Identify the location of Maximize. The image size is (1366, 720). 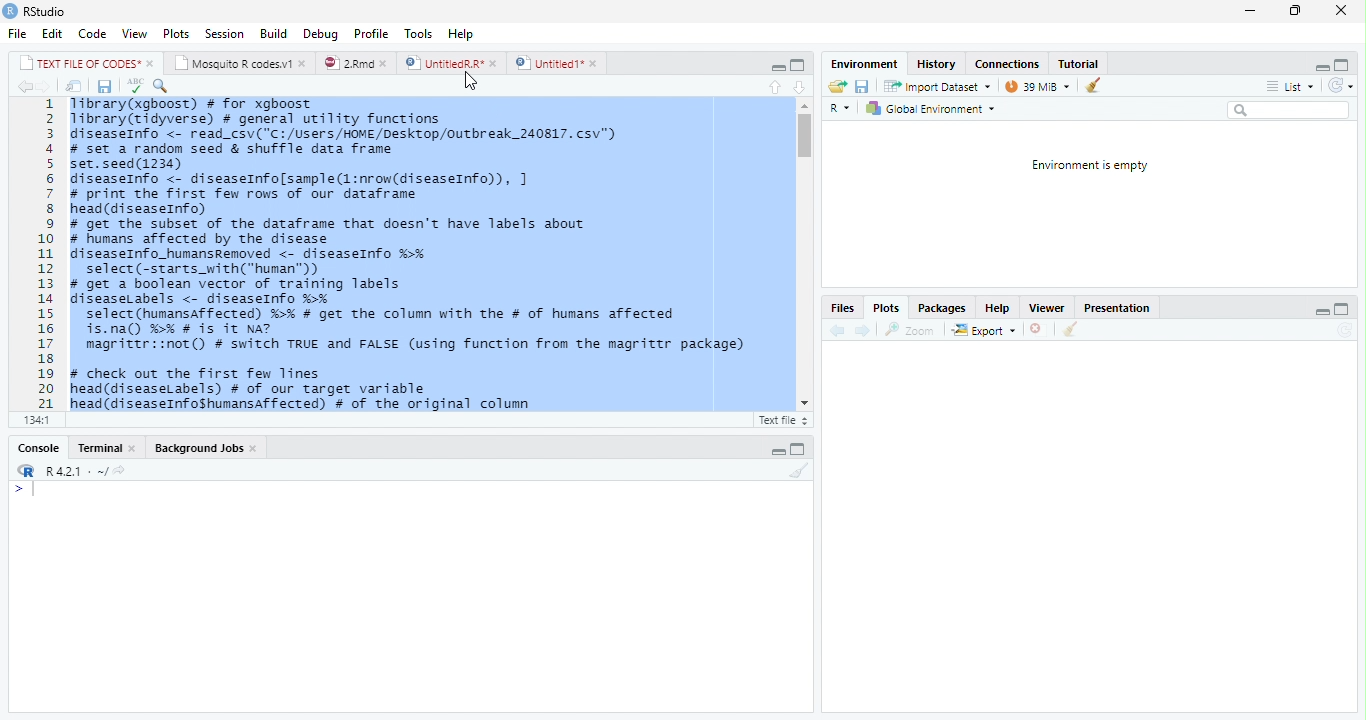
(801, 447).